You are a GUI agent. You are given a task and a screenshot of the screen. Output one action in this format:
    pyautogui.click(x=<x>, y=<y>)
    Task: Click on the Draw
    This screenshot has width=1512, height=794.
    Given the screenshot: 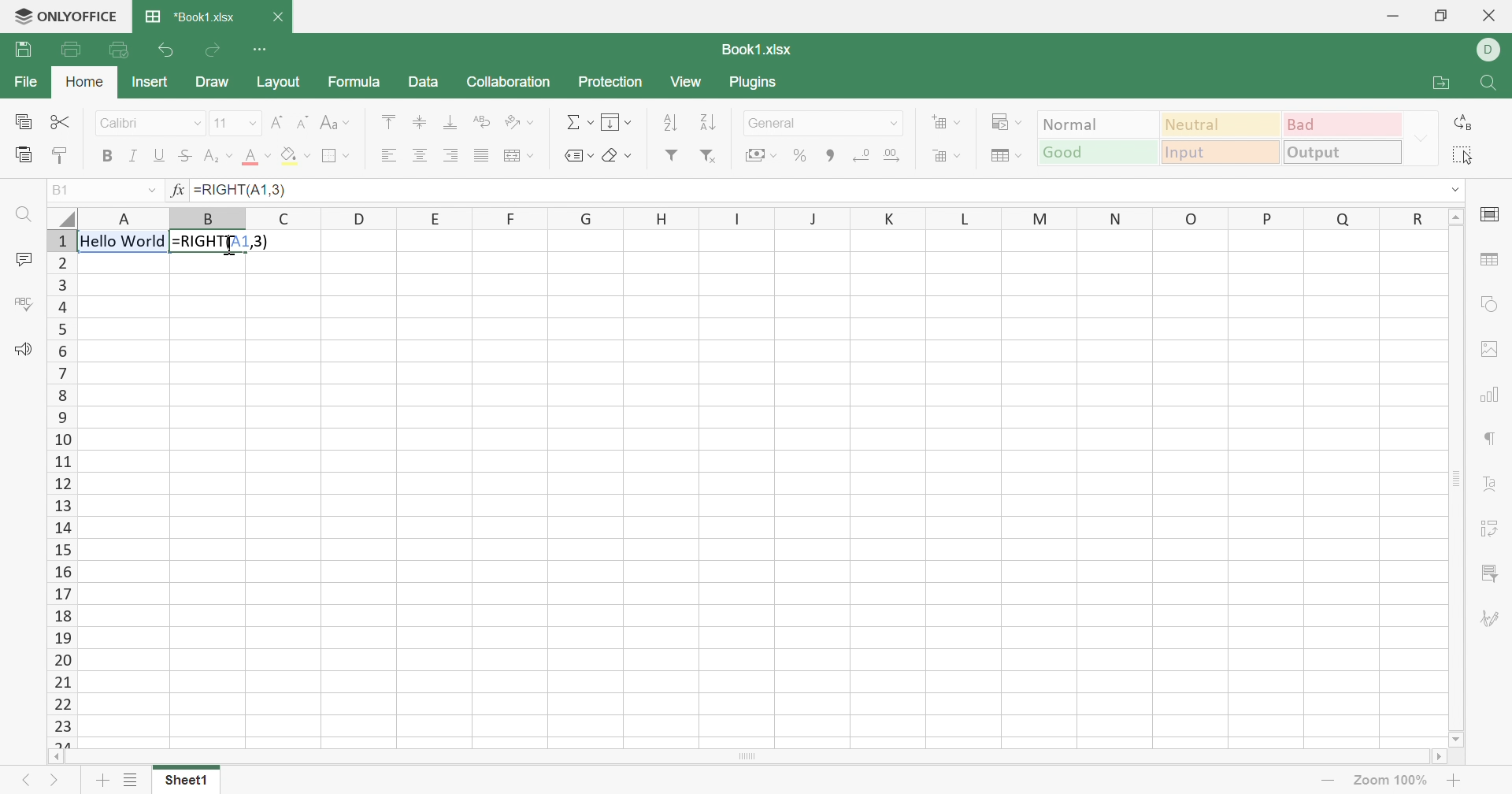 What is the action you would take?
    pyautogui.click(x=207, y=82)
    